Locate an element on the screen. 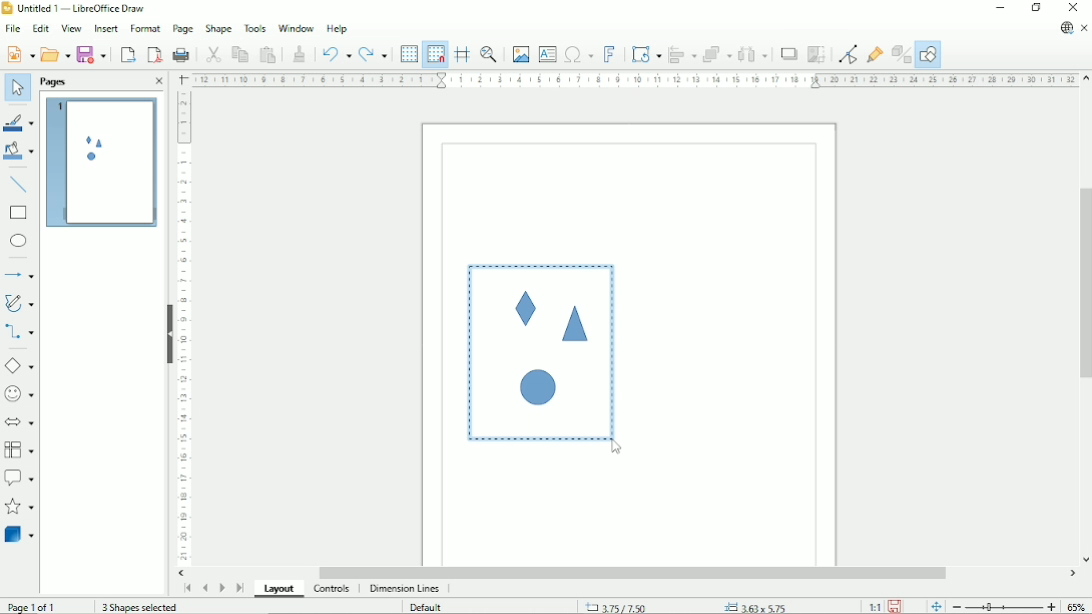 The height and width of the screenshot is (614, 1092). Clone formatting is located at coordinates (300, 53).